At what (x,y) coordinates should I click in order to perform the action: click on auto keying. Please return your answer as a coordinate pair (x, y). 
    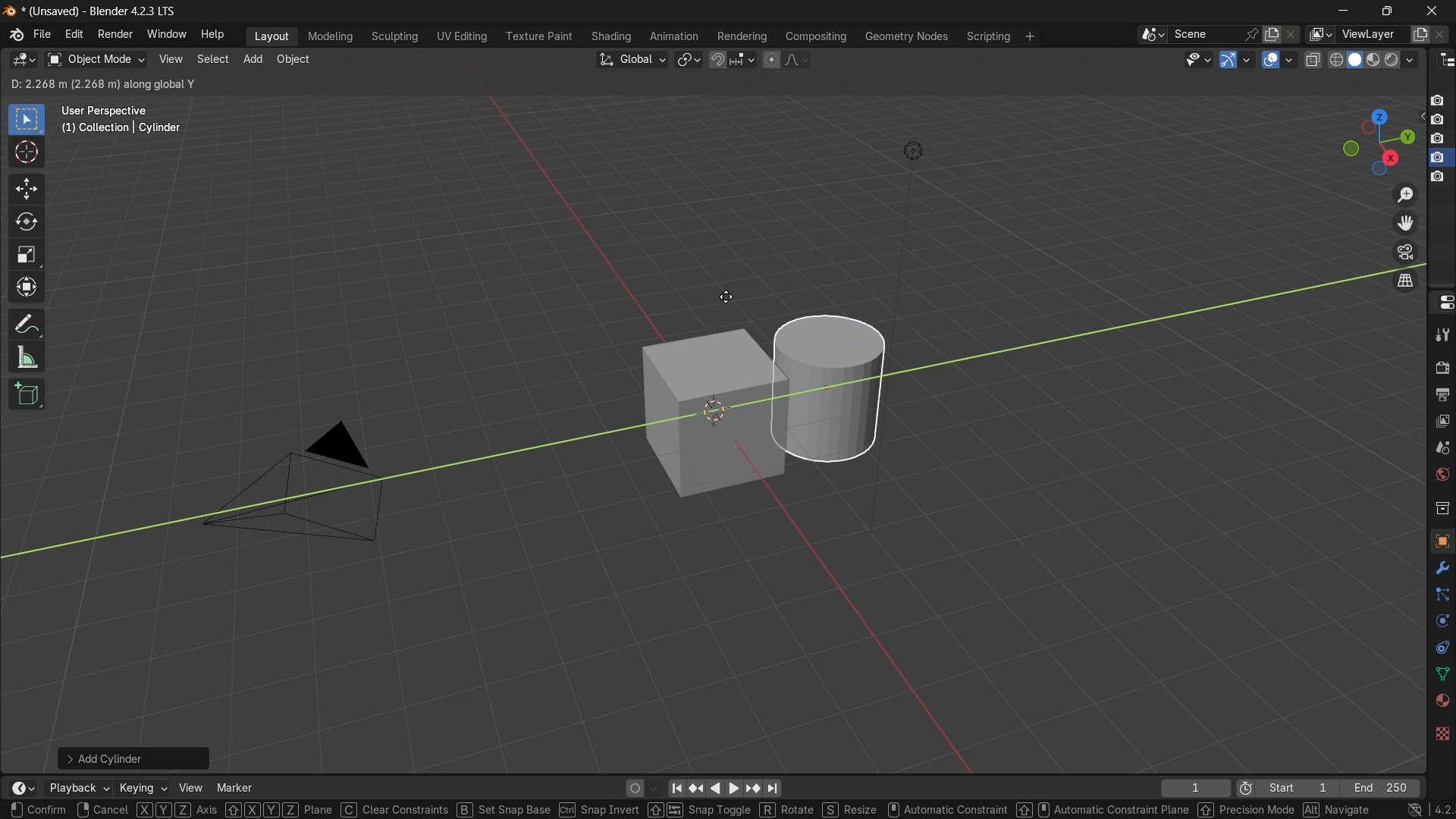
    Looking at the image, I should click on (633, 789).